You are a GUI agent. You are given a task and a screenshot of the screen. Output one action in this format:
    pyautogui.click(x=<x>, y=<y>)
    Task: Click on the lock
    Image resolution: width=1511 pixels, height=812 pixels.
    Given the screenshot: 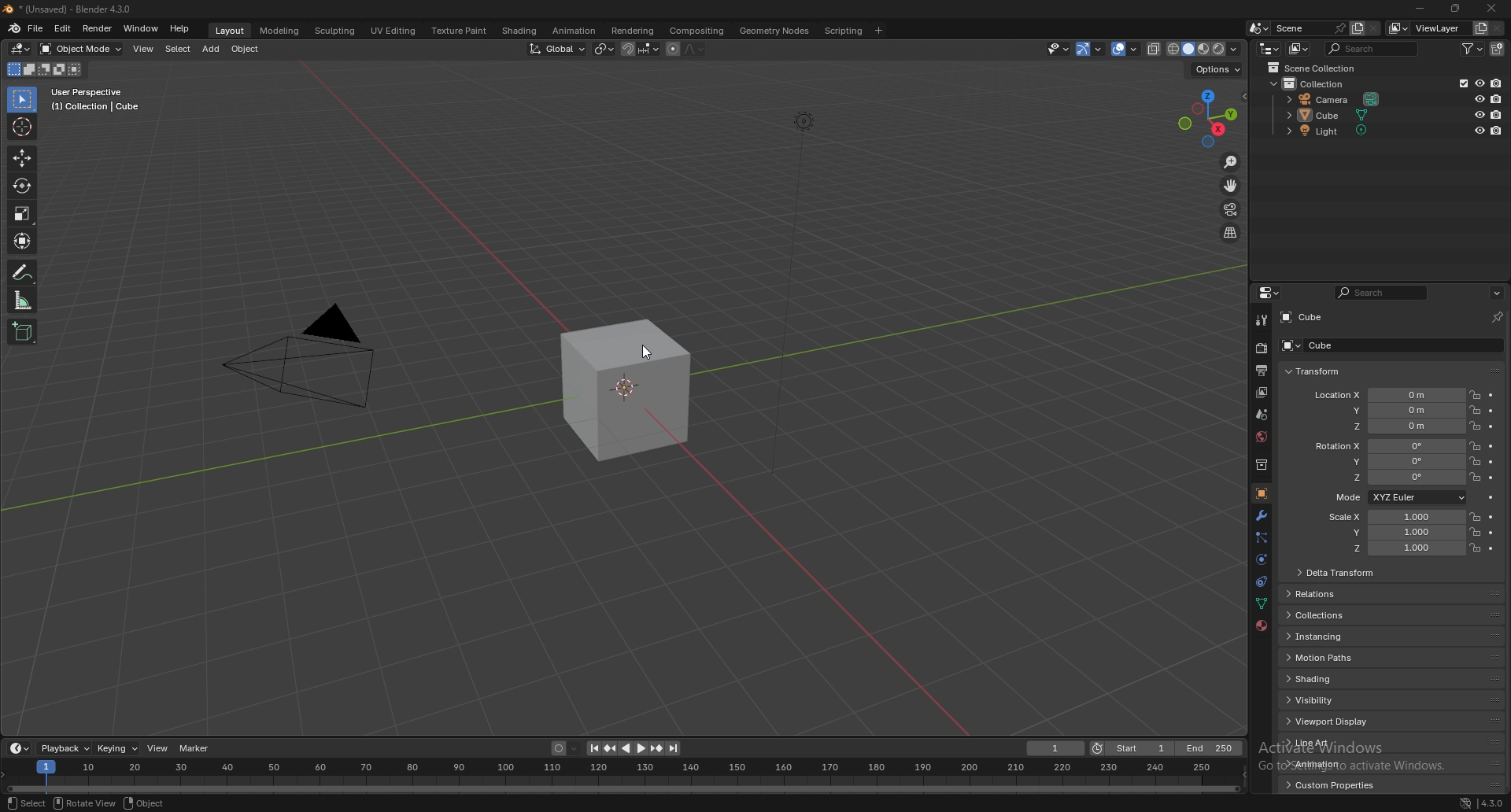 What is the action you would take?
    pyautogui.click(x=1474, y=532)
    